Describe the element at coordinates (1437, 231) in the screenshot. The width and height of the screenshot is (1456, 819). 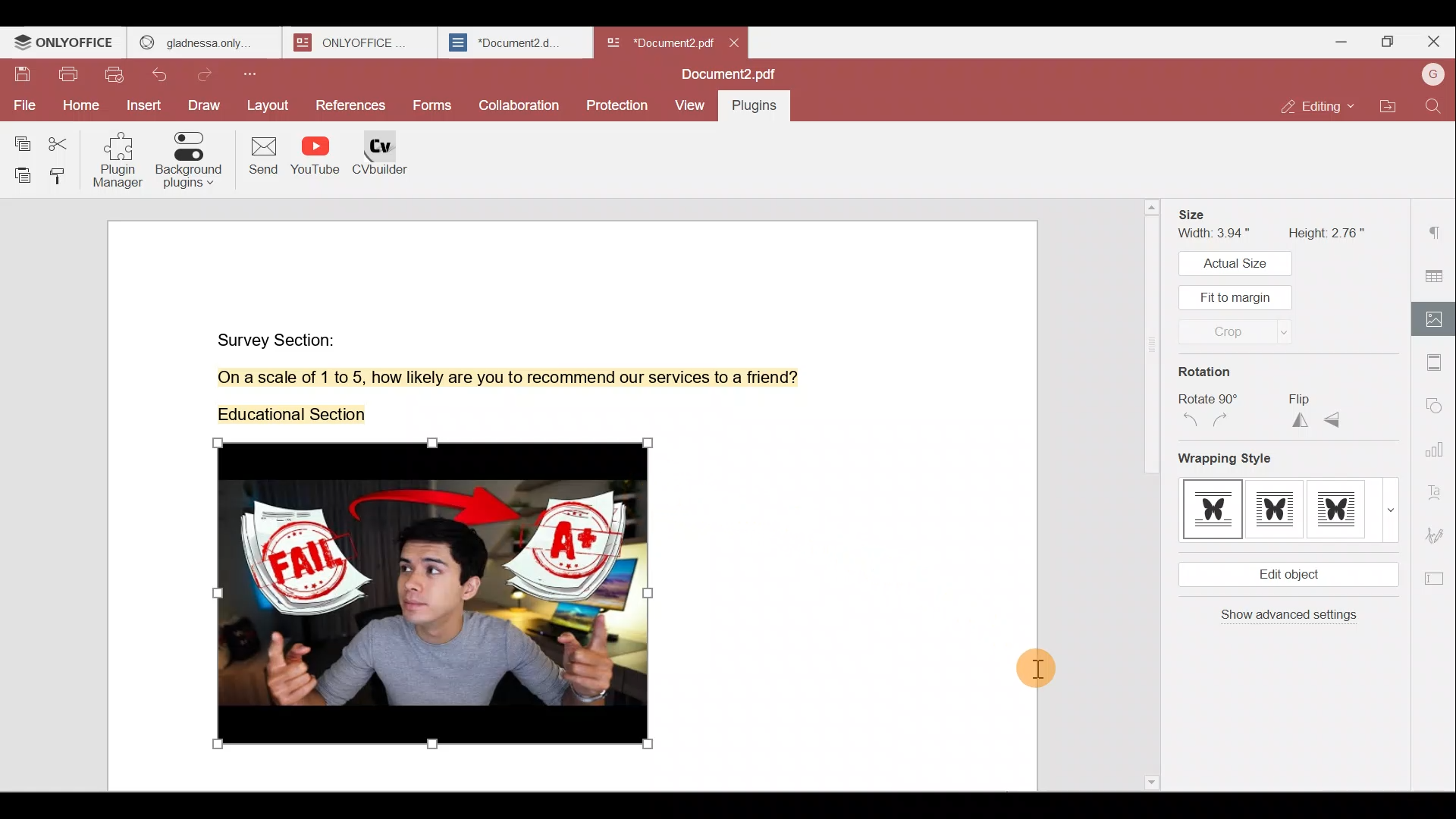
I see `Paragraph settings` at that location.